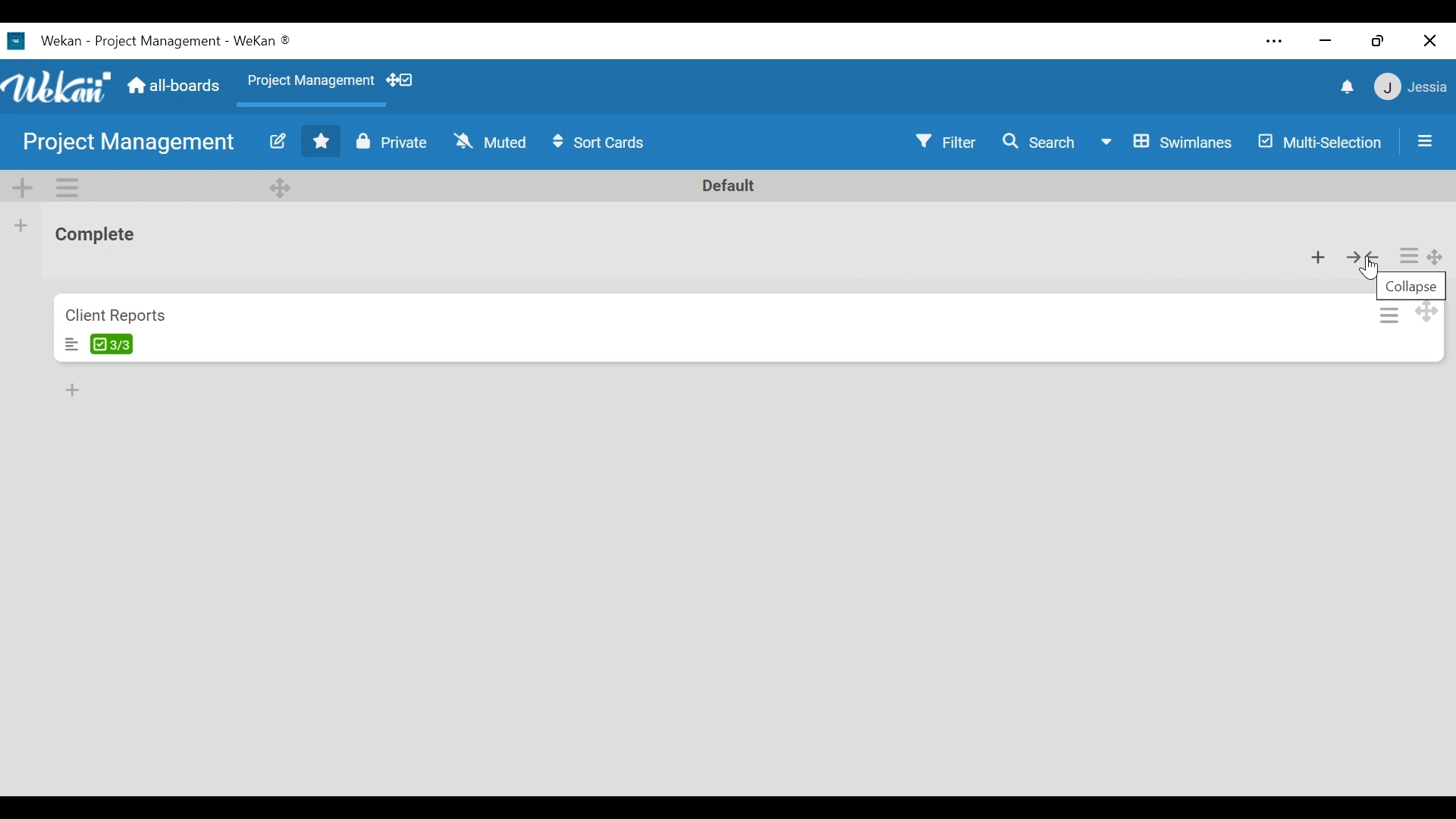 The width and height of the screenshot is (1456, 819). I want to click on Swimlane actions, so click(67, 187).